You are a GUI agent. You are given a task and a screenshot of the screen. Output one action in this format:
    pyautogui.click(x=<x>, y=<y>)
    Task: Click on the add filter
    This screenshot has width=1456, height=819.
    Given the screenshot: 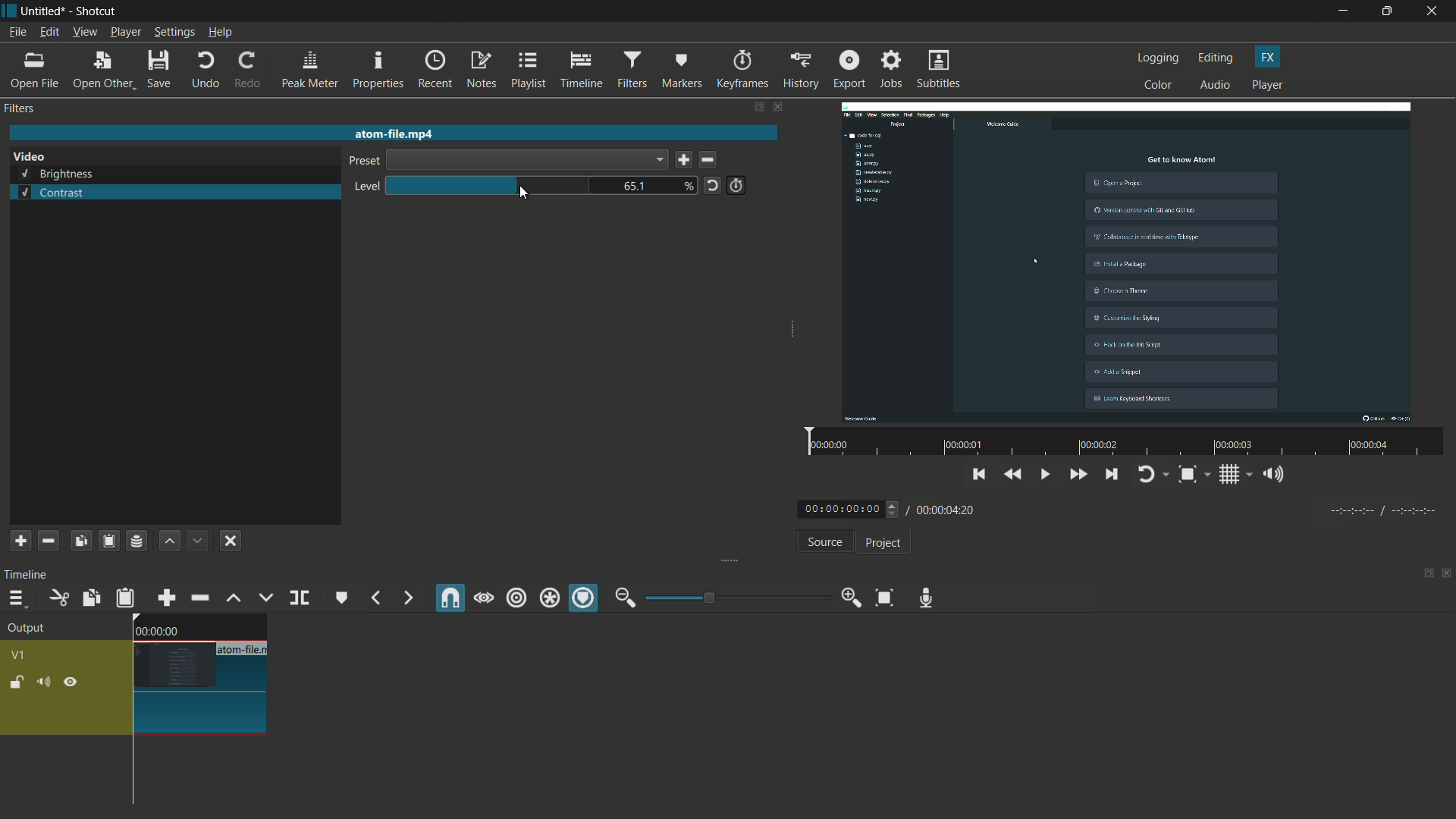 What is the action you would take?
    pyautogui.click(x=20, y=541)
    